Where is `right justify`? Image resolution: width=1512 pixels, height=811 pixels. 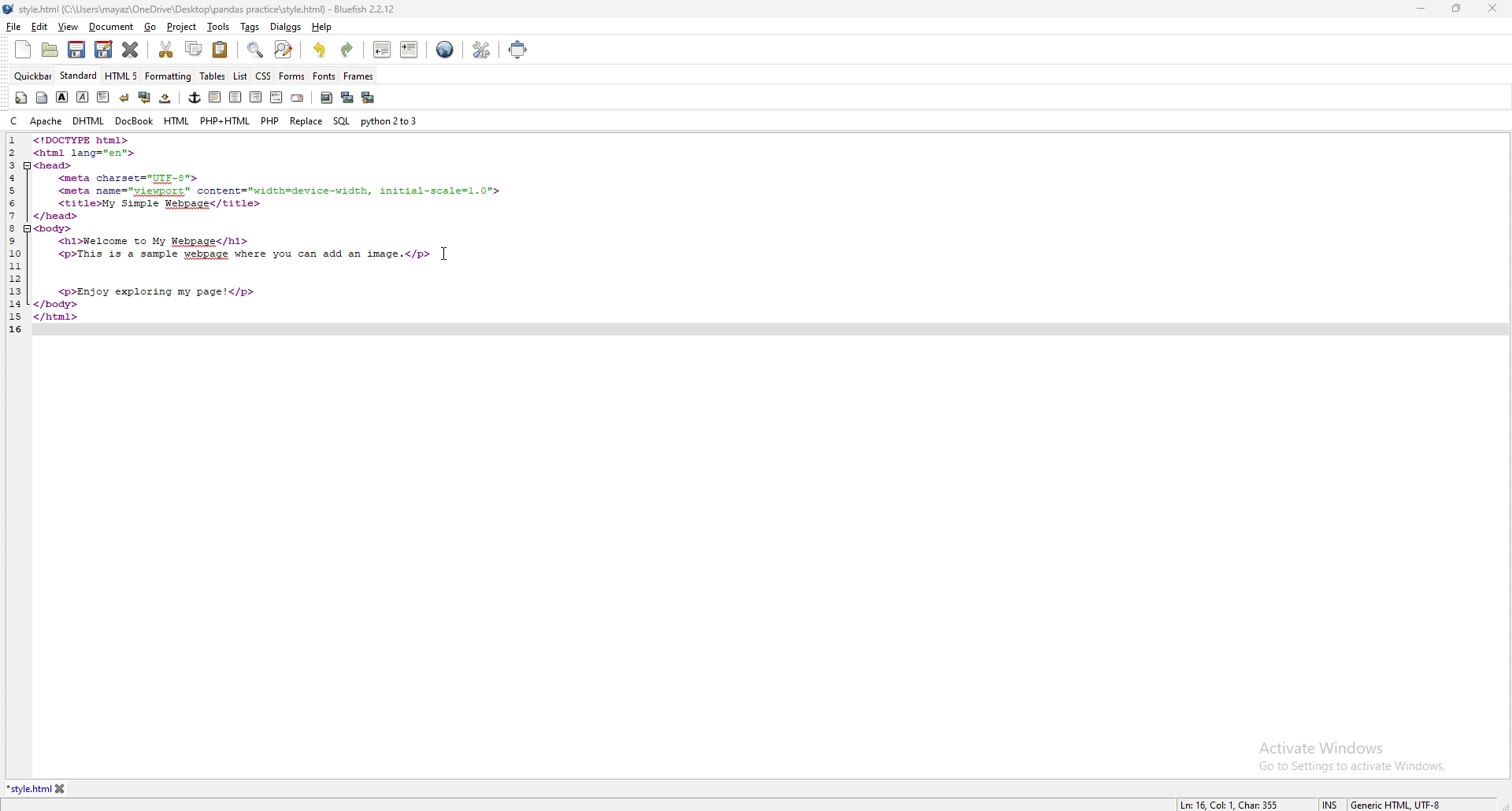 right justify is located at coordinates (257, 98).